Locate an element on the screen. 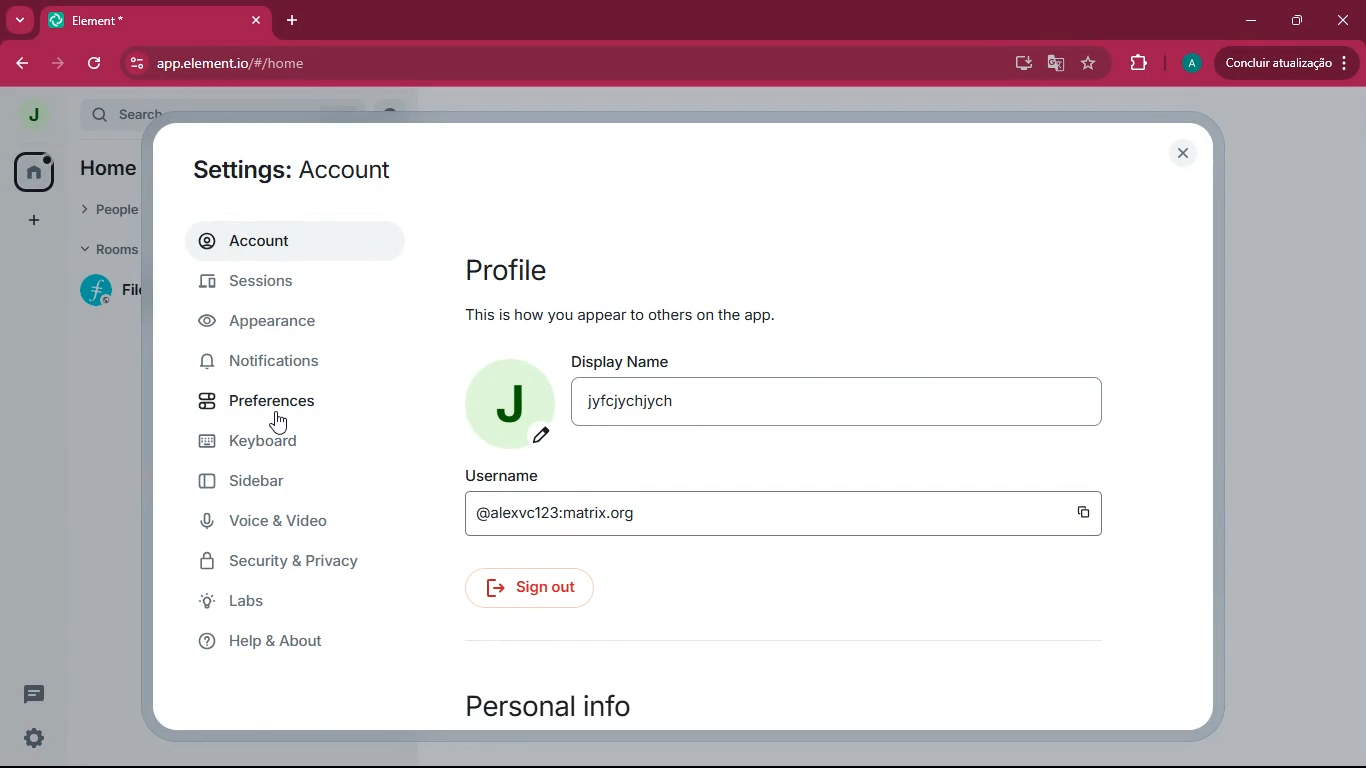 The image size is (1366, 768). Settings is located at coordinates (37, 741).